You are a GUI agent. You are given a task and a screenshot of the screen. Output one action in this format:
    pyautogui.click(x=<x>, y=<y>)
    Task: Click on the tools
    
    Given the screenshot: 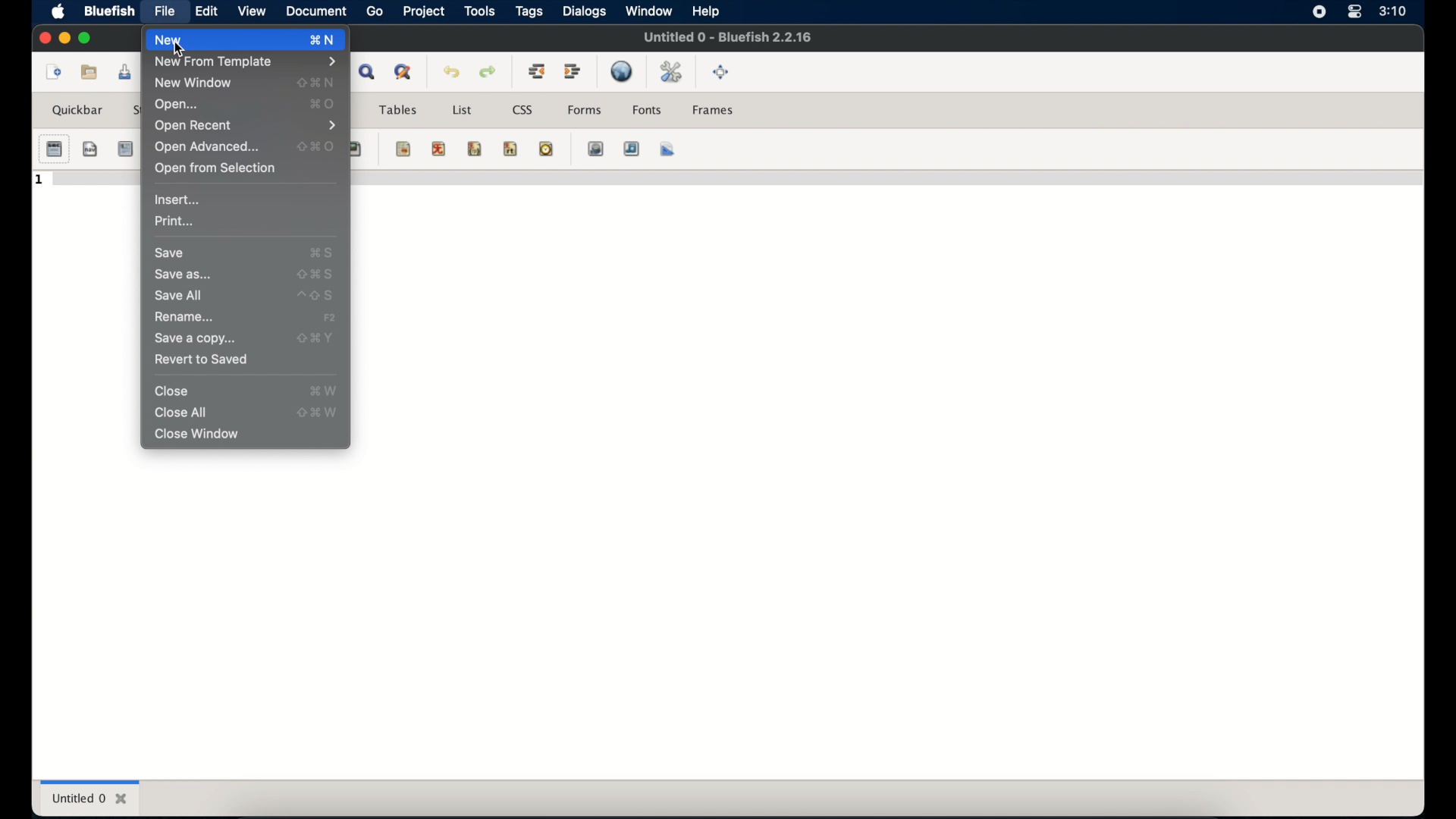 What is the action you would take?
    pyautogui.click(x=479, y=11)
    